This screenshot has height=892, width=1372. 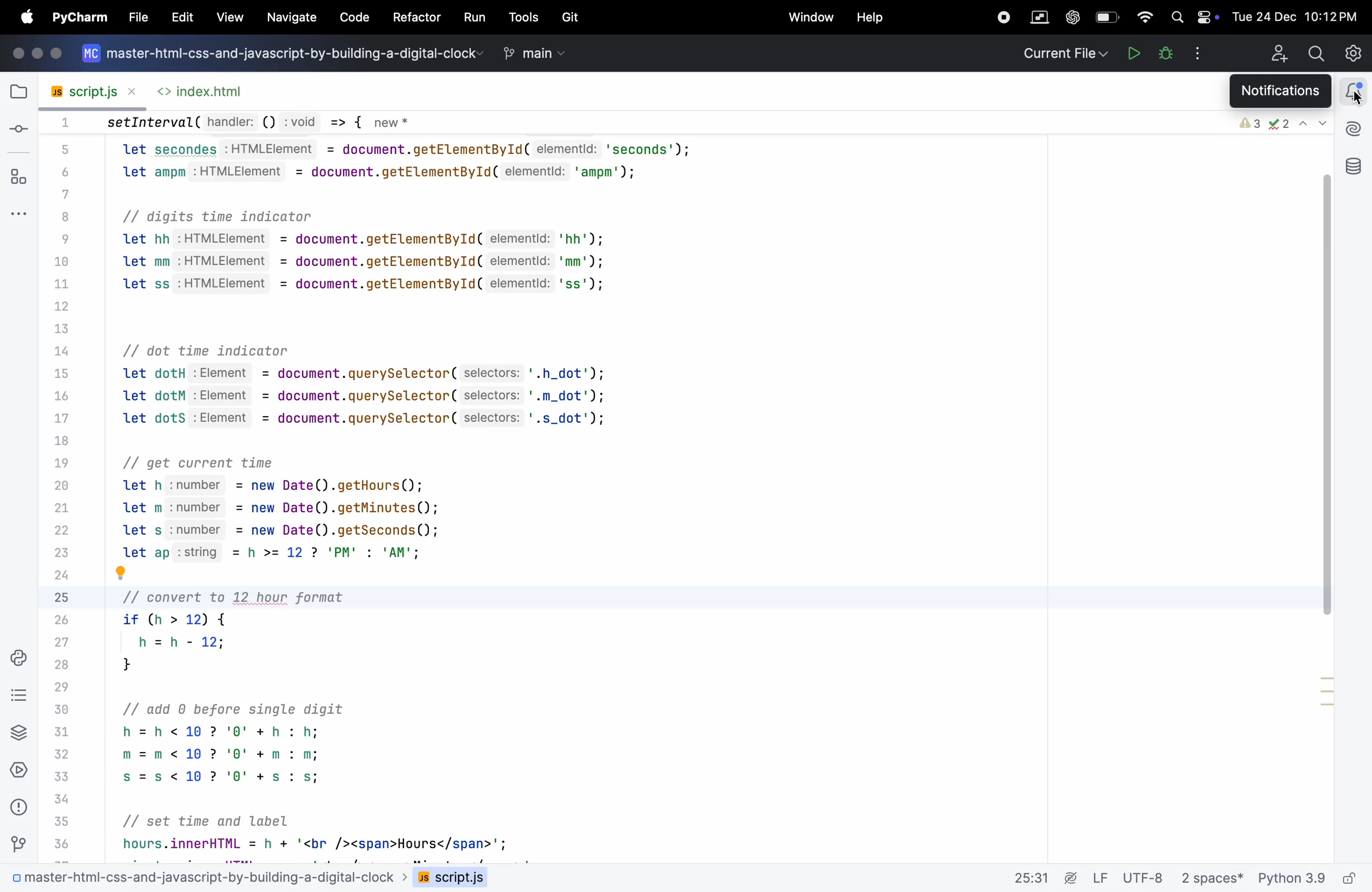 What do you see at coordinates (1132, 52) in the screenshot?
I see `Run` at bounding box center [1132, 52].